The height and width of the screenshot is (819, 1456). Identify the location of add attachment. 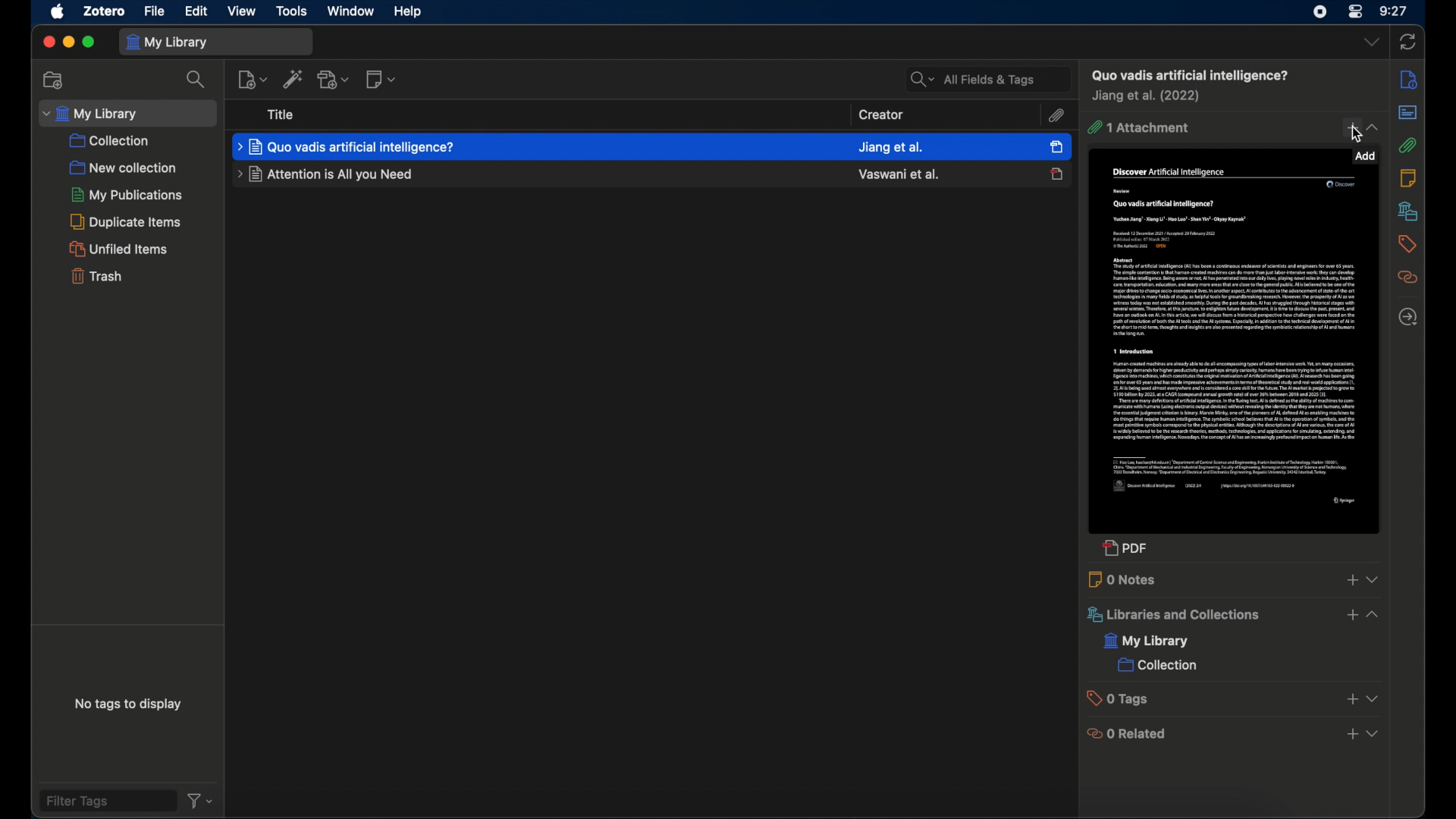
(333, 80).